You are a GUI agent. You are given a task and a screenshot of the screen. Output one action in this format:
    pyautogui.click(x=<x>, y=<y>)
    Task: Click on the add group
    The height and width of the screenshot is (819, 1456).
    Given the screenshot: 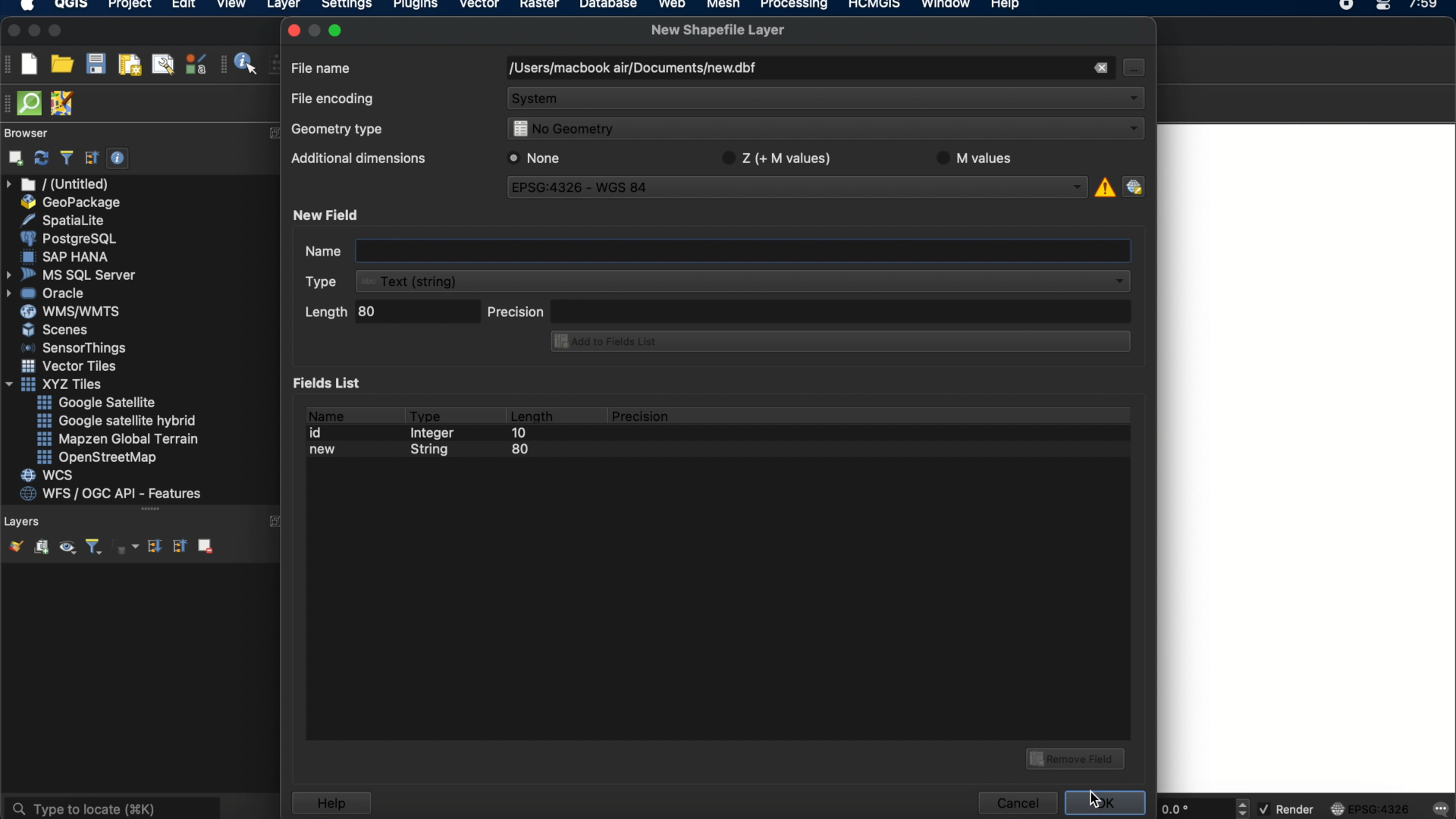 What is the action you would take?
    pyautogui.click(x=41, y=548)
    